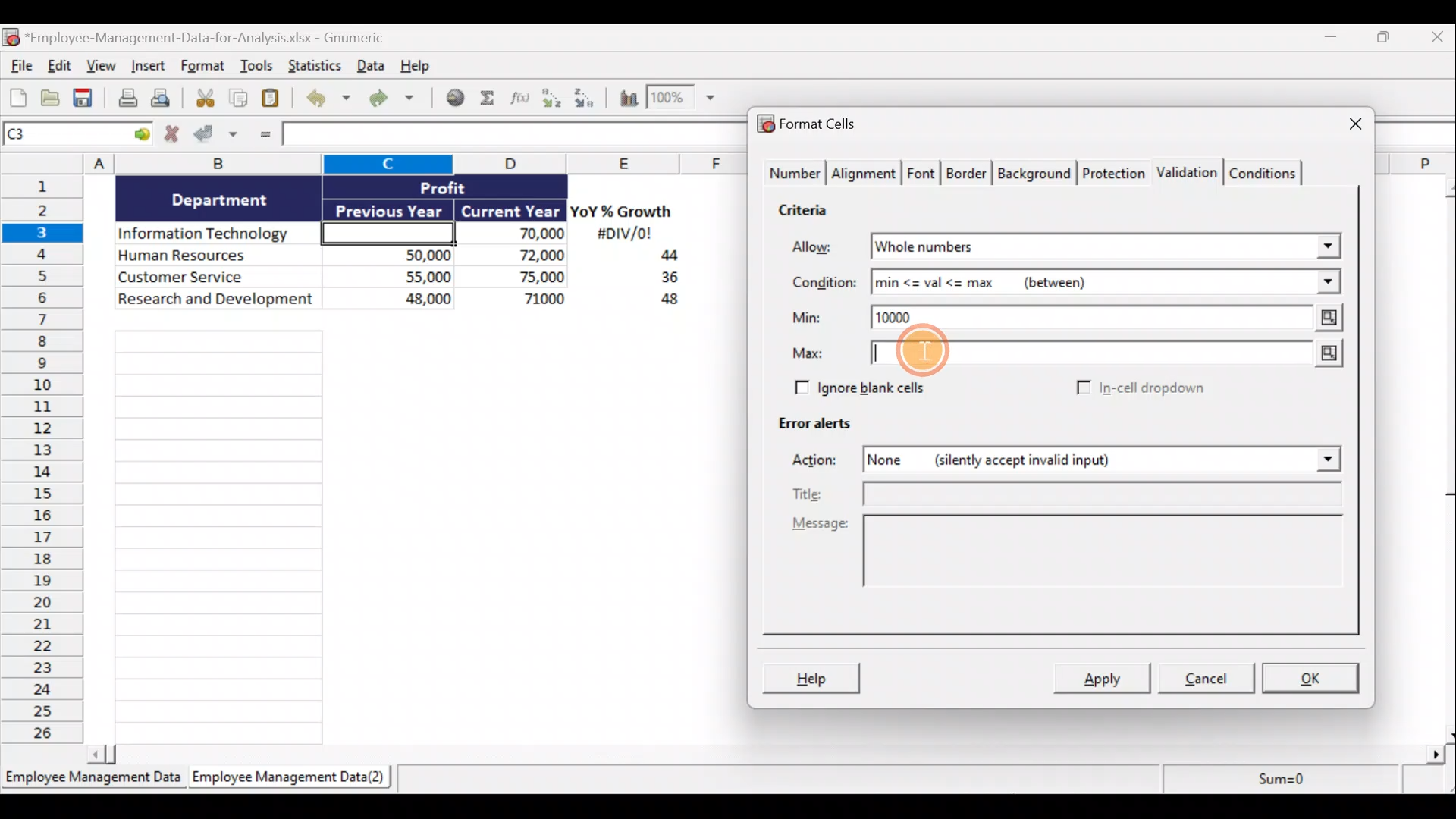 Image resolution: width=1456 pixels, height=819 pixels. What do you see at coordinates (968, 174) in the screenshot?
I see `Border` at bounding box center [968, 174].